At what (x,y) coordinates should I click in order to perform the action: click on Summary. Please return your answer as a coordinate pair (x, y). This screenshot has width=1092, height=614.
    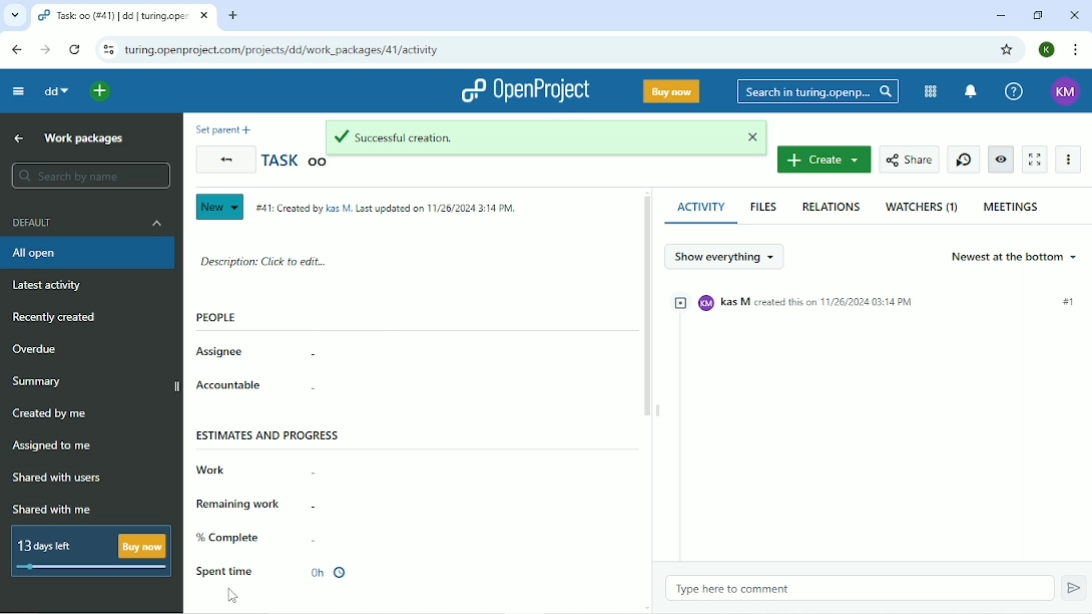
    Looking at the image, I should click on (37, 382).